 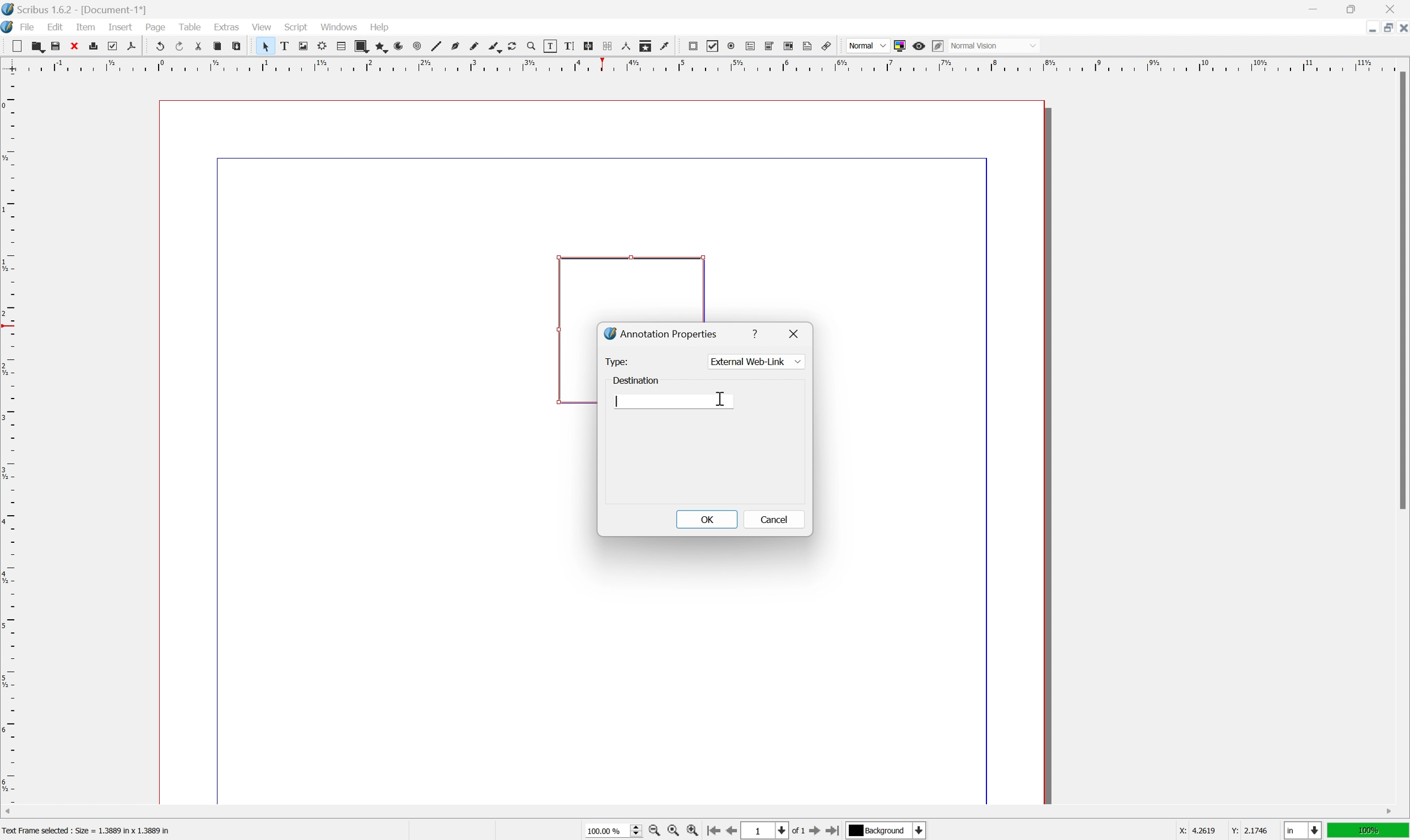 I want to click on polygon, so click(x=380, y=46).